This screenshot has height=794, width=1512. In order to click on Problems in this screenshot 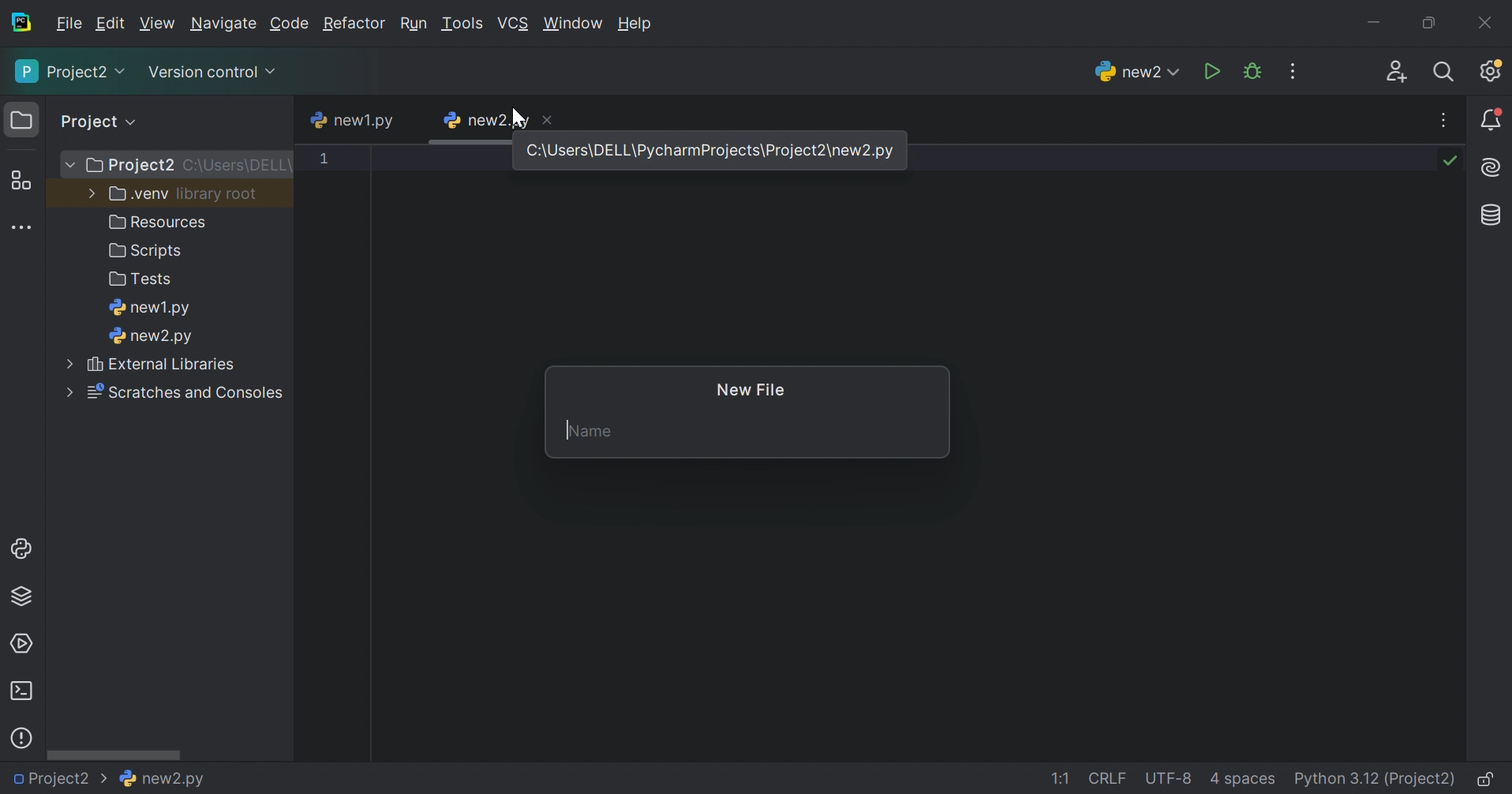, I will do `click(24, 736)`.